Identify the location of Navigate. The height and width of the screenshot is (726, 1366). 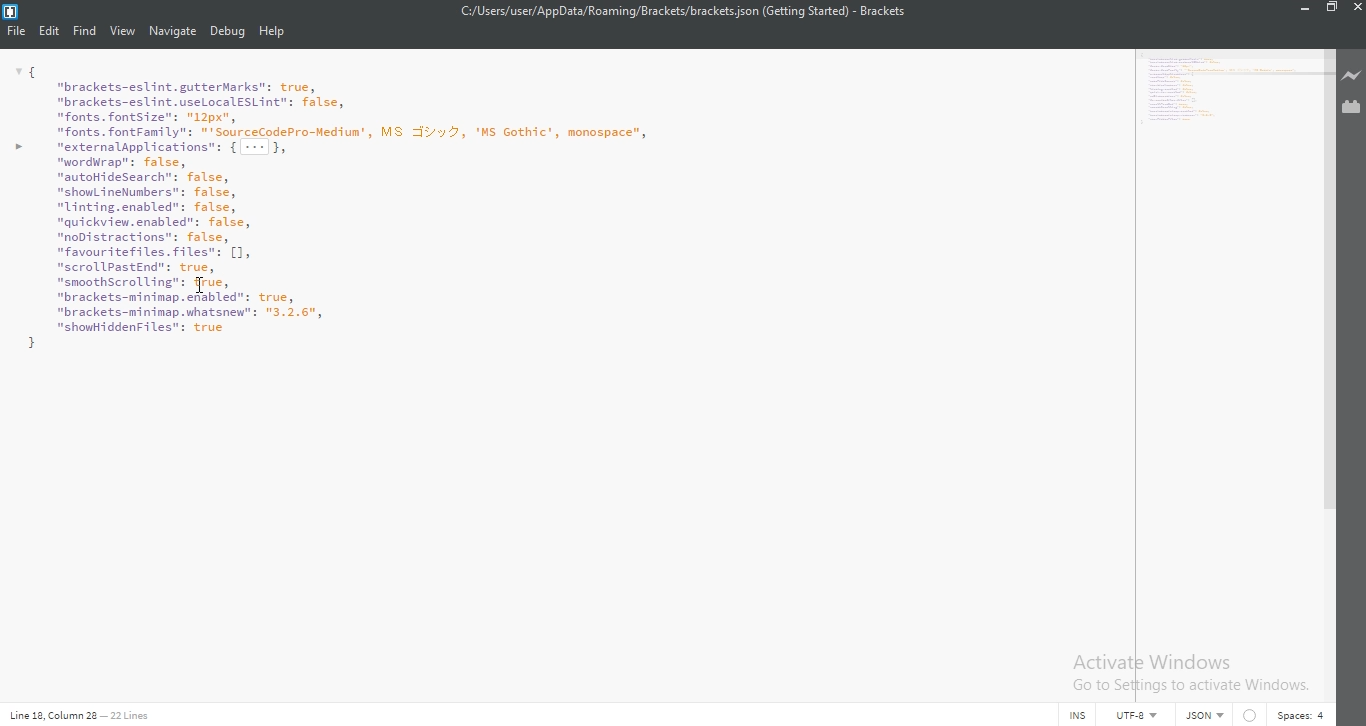
(172, 32).